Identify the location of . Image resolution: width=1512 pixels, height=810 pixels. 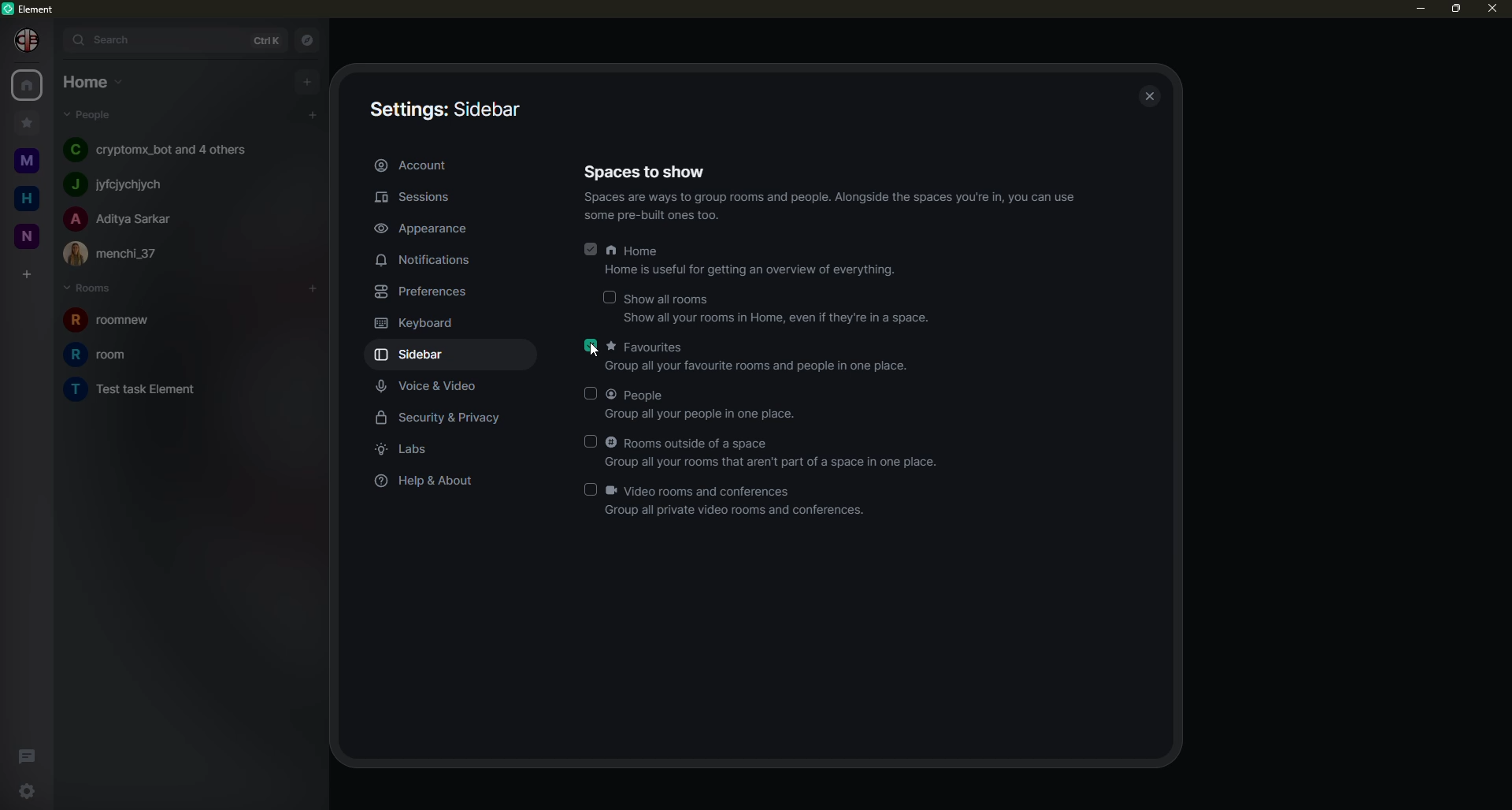
(28, 41).